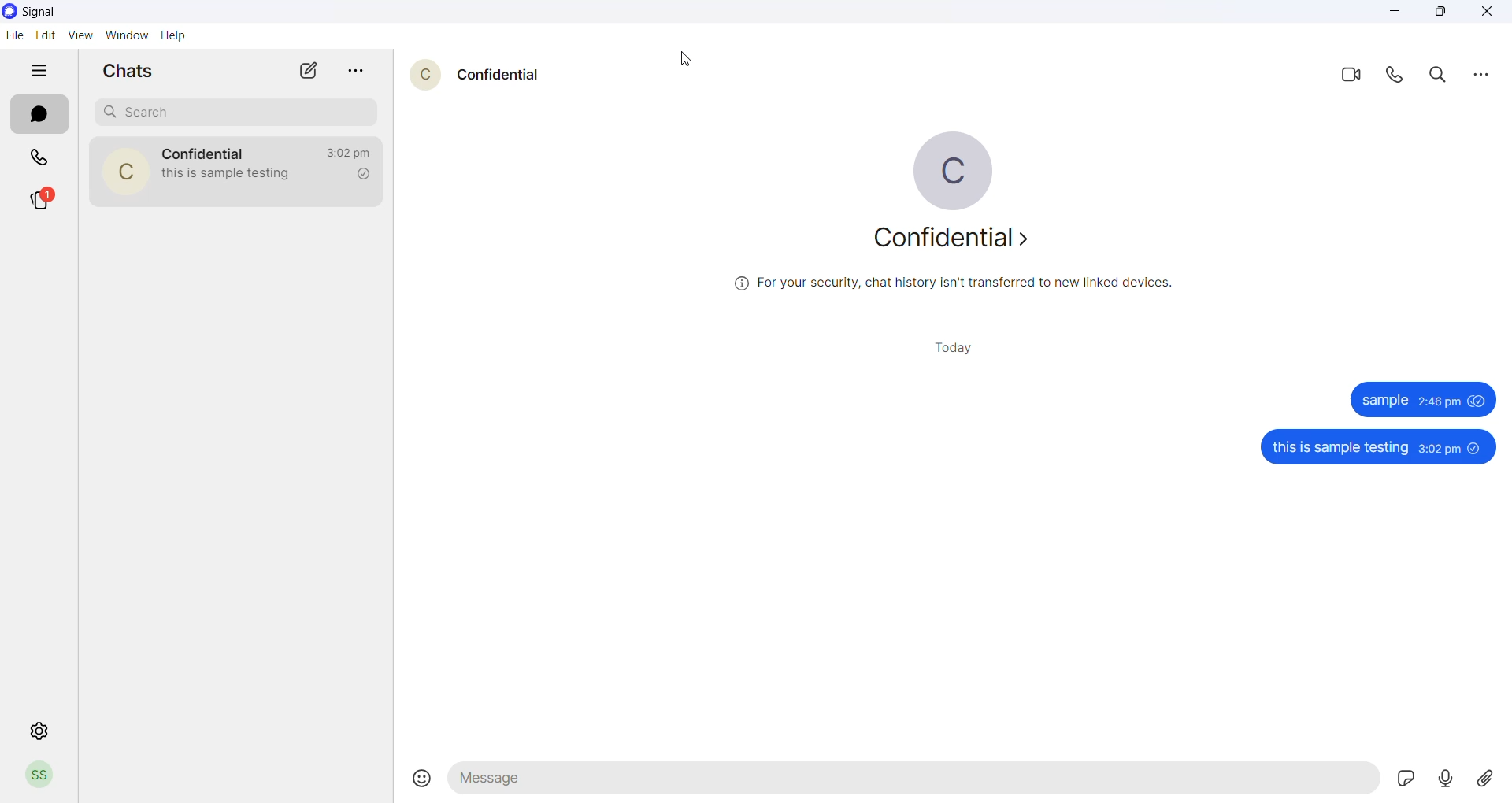 The height and width of the screenshot is (803, 1512). Describe the element at coordinates (1444, 779) in the screenshot. I see `voice note` at that location.